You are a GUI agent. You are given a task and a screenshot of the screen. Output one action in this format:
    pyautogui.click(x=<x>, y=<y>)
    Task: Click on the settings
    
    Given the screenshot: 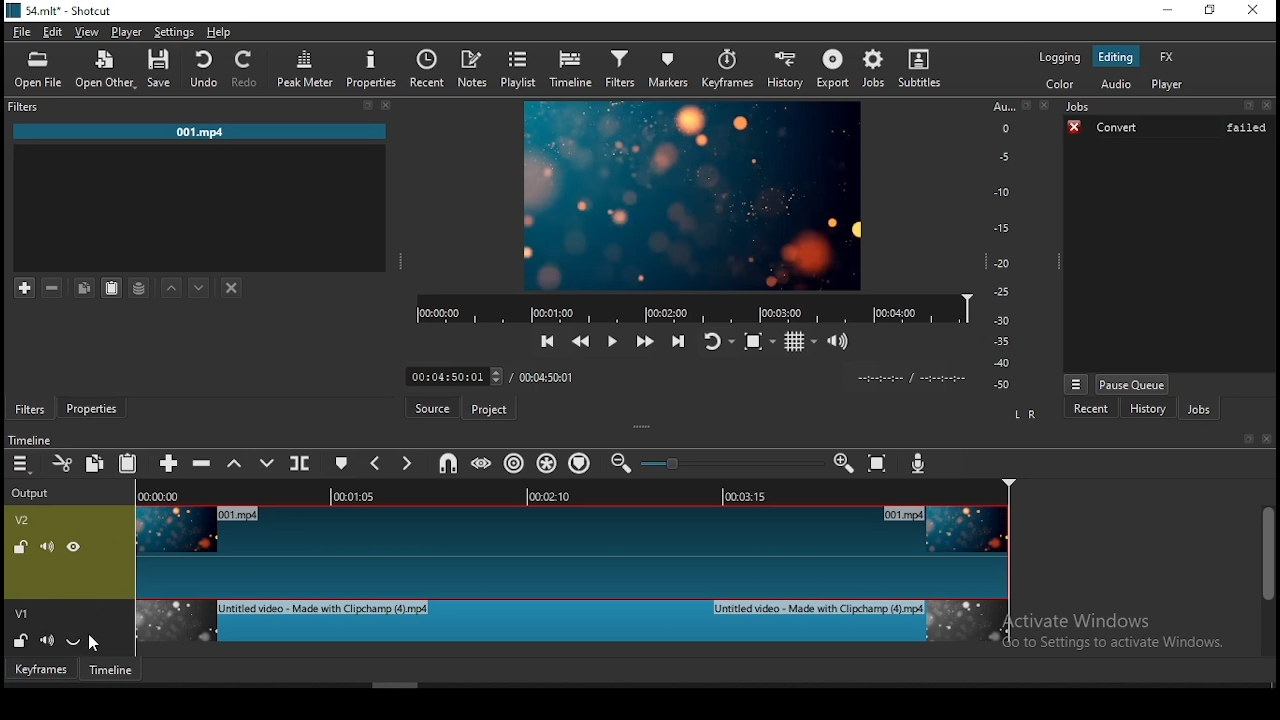 What is the action you would take?
    pyautogui.click(x=175, y=32)
    